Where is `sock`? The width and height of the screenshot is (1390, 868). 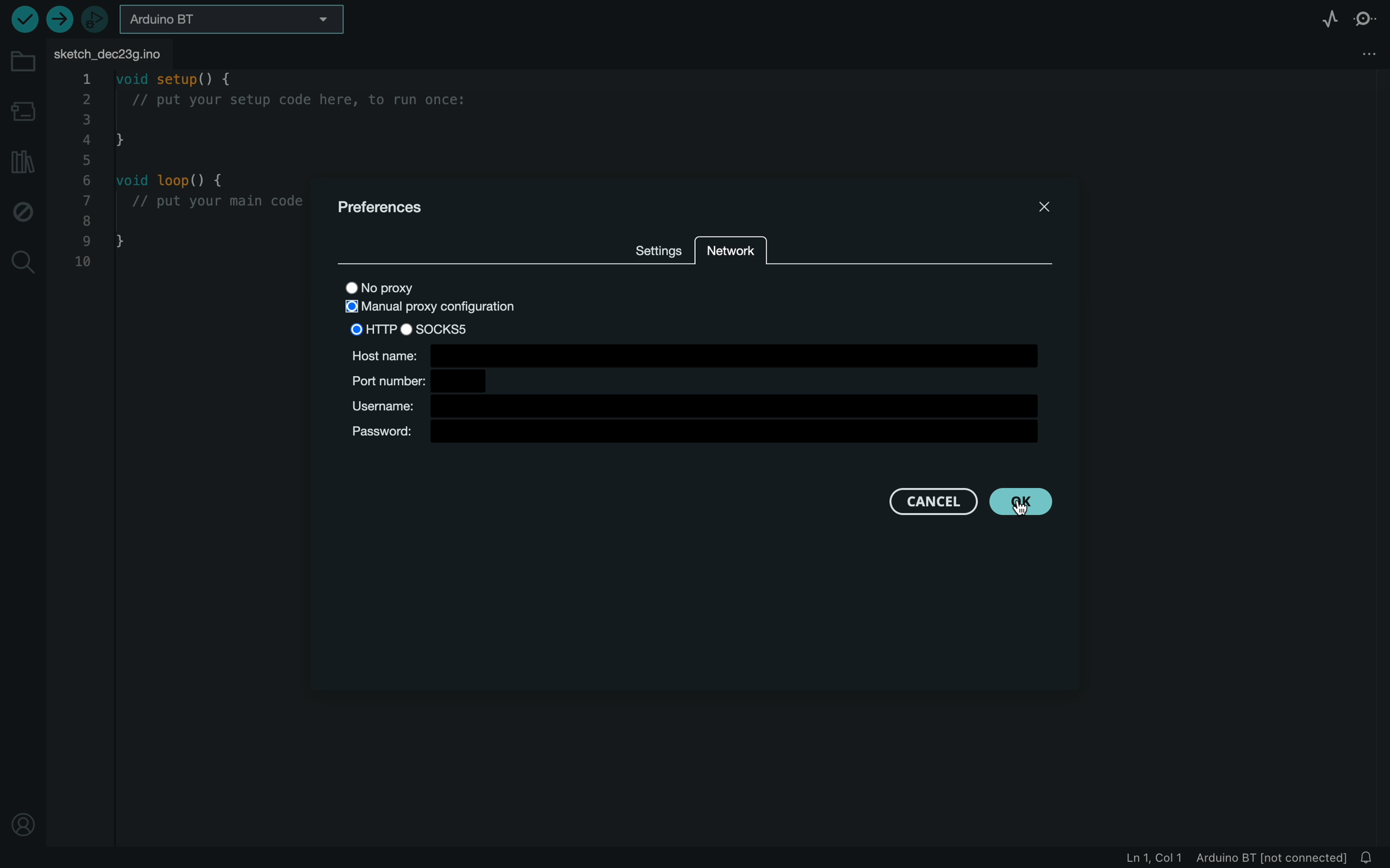
sock is located at coordinates (440, 330).